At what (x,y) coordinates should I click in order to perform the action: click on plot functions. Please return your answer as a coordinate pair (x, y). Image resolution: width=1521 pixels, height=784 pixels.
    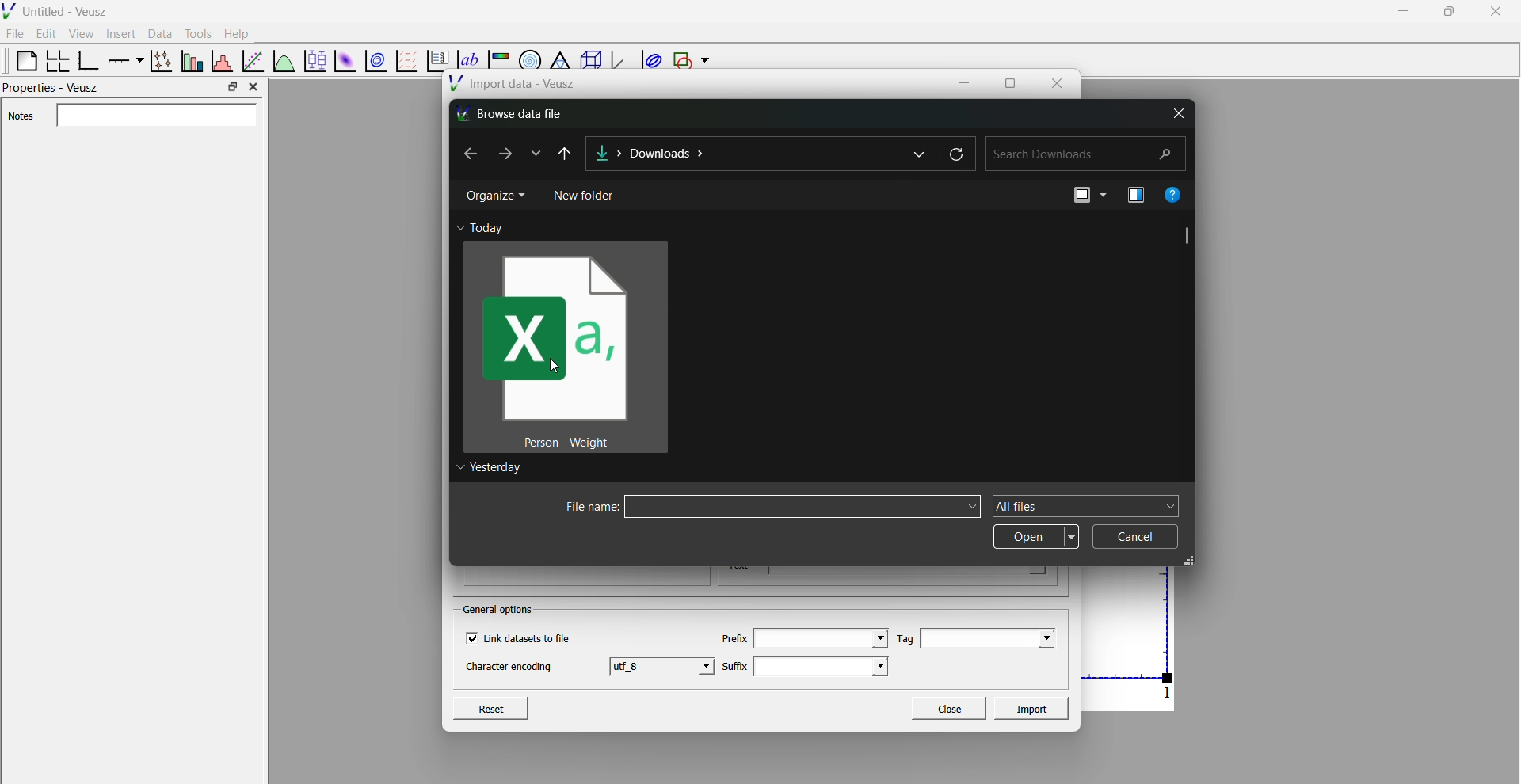
    Looking at the image, I should click on (283, 60).